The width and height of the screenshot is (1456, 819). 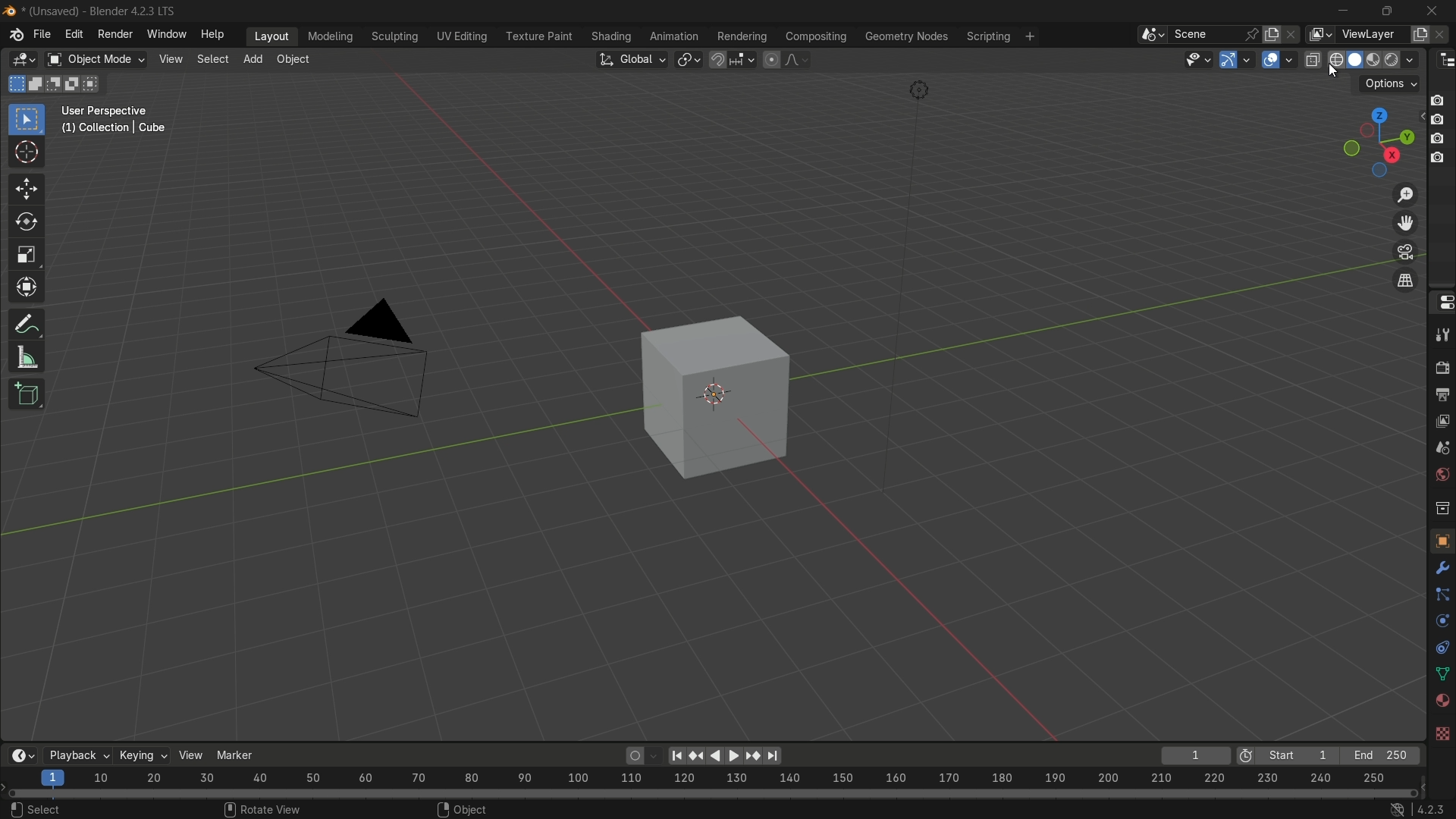 I want to click on editor type, so click(x=1447, y=60).